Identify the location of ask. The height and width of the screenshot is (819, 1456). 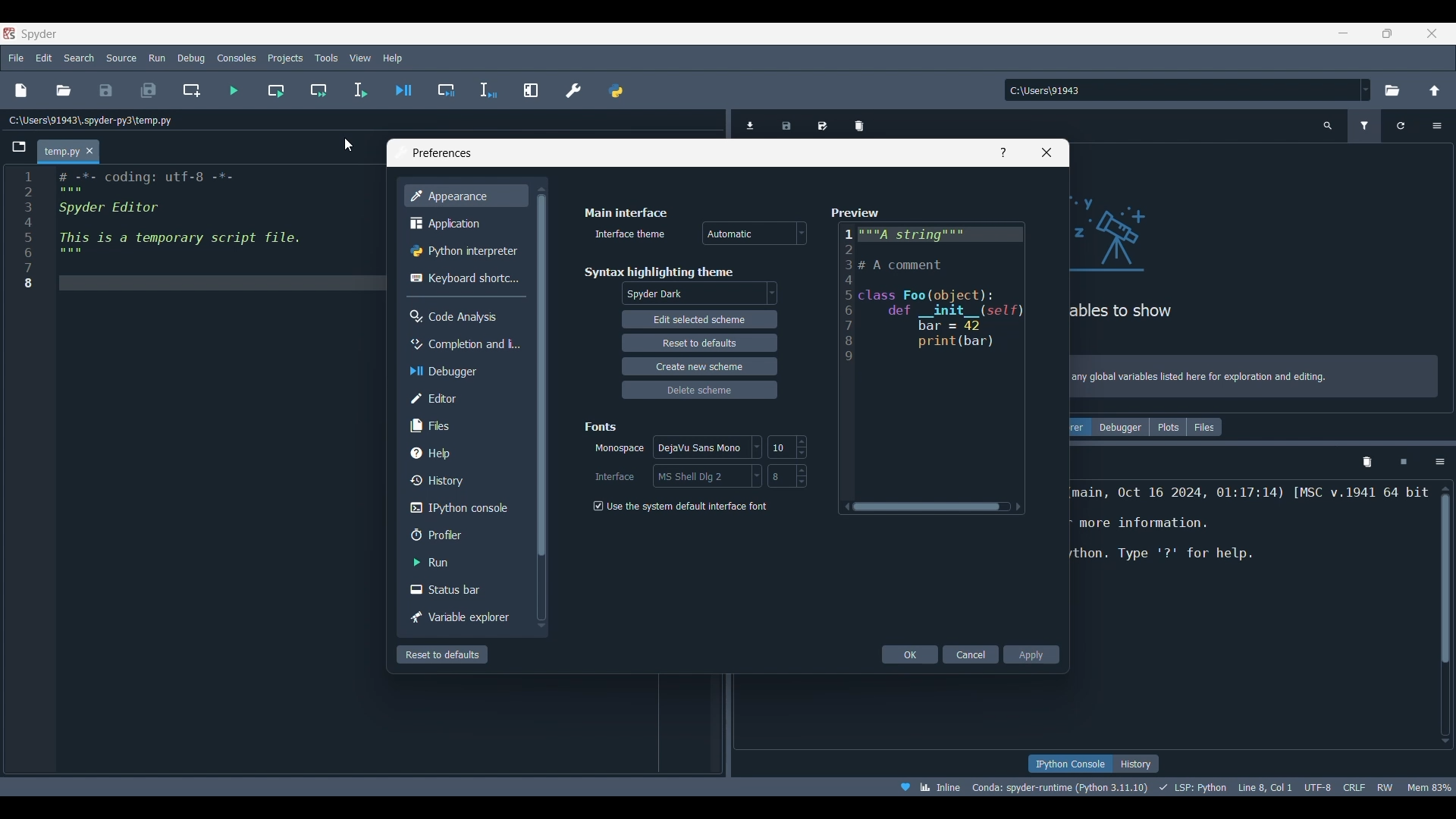
(1003, 152).